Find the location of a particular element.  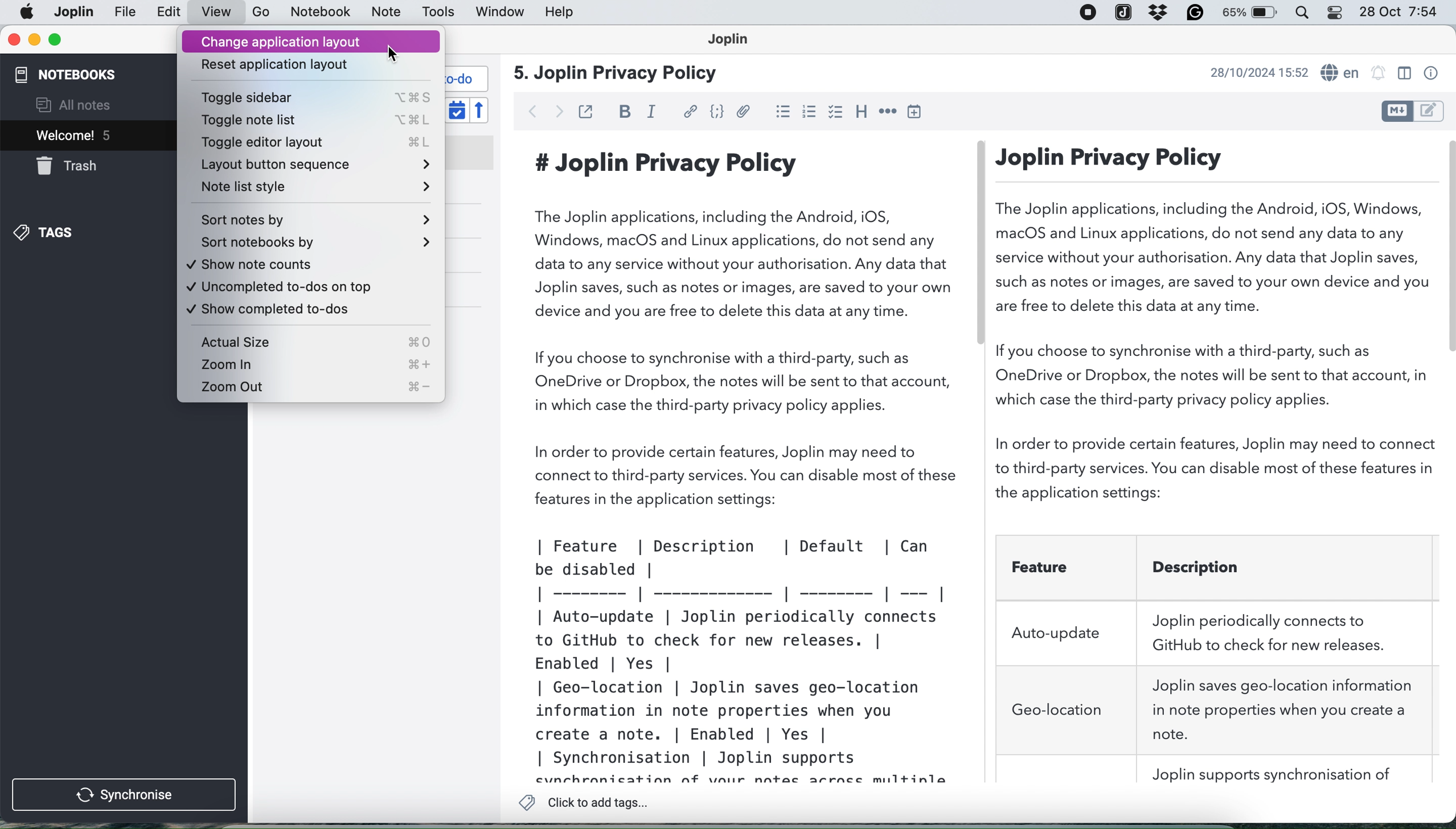

Actual size is located at coordinates (310, 341).